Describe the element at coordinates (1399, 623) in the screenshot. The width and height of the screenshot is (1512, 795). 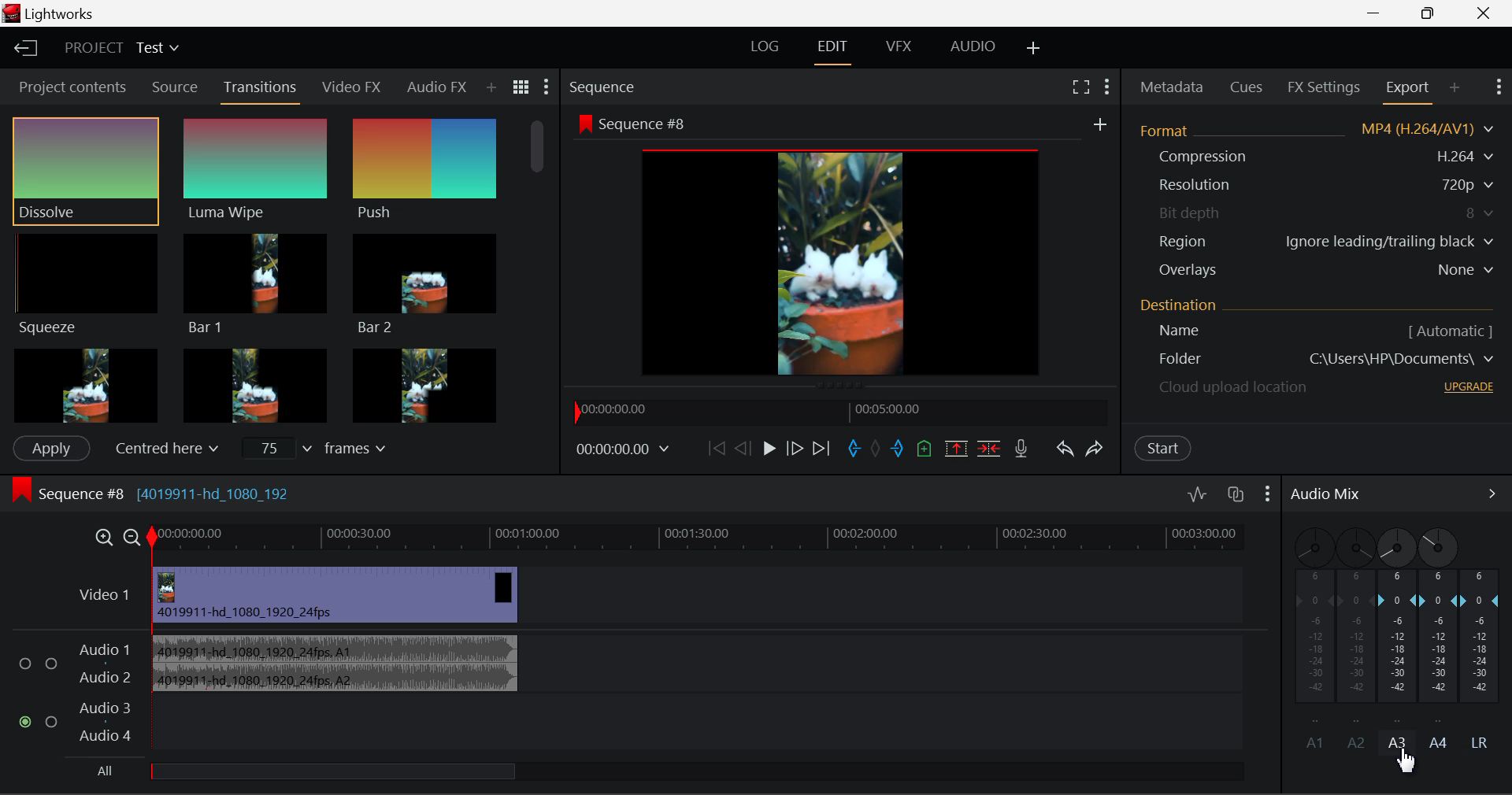
I see `A3 Audio Channel Enabled` at that location.